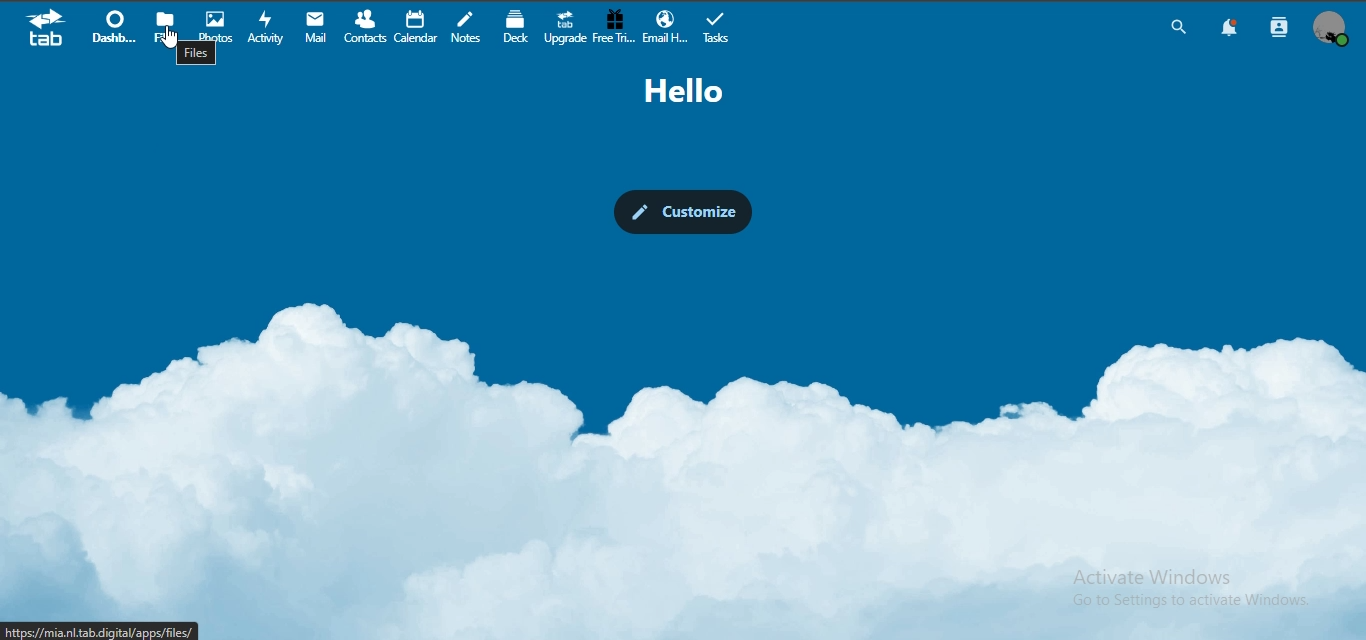 This screenshot has width=1366, height=640. Describe the element at coordinates (414, 26) in the screenshot. I see `calendar` at that location.